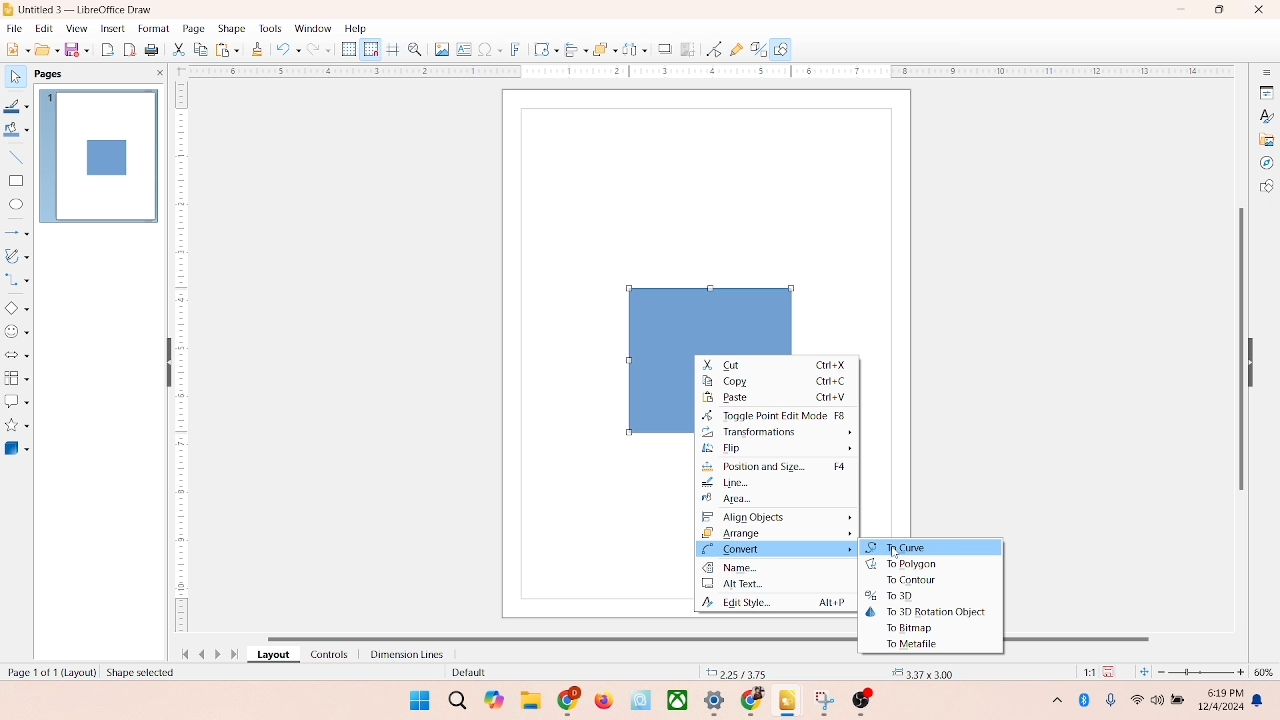 The height and width of the screenshot is (720, 1280). Describe the element at coordinates (490, 49) in the screenshot. I see `special character` at that location.